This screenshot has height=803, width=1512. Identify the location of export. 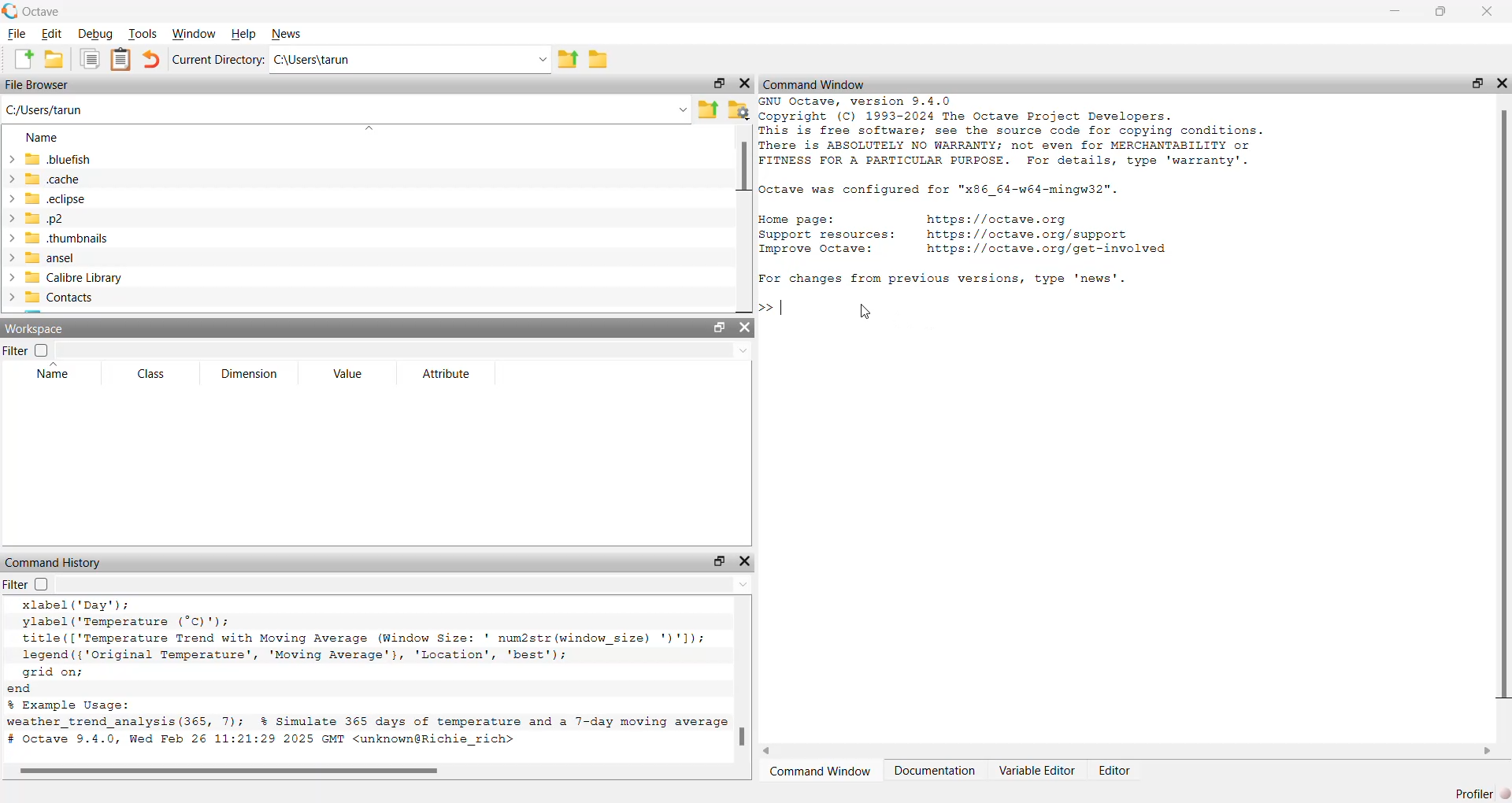
(710, 109).